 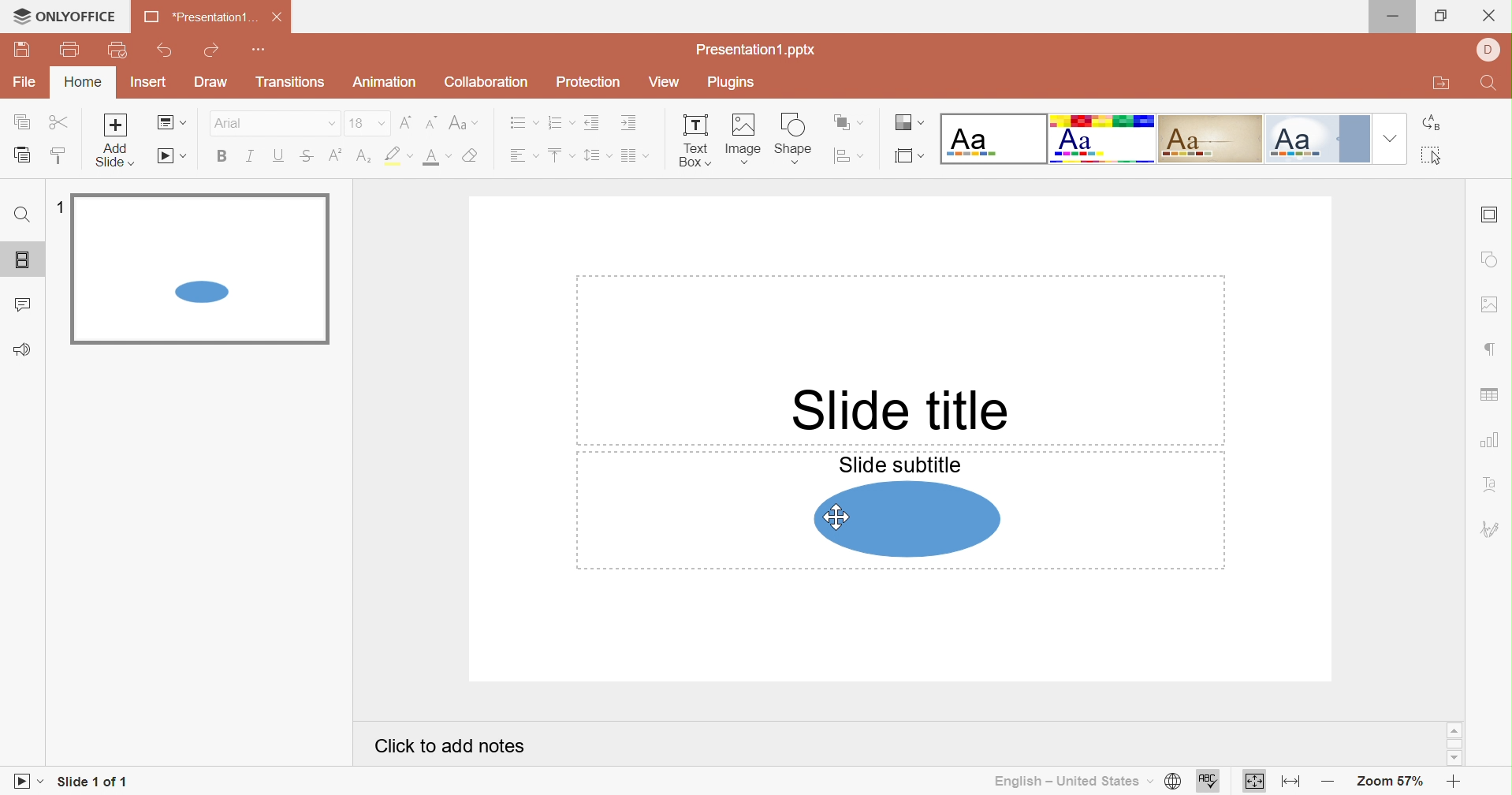 What do you see at coordinates (909, 156) in the screenshot?
I see `Select slide size` at bounding box center [909, 156].